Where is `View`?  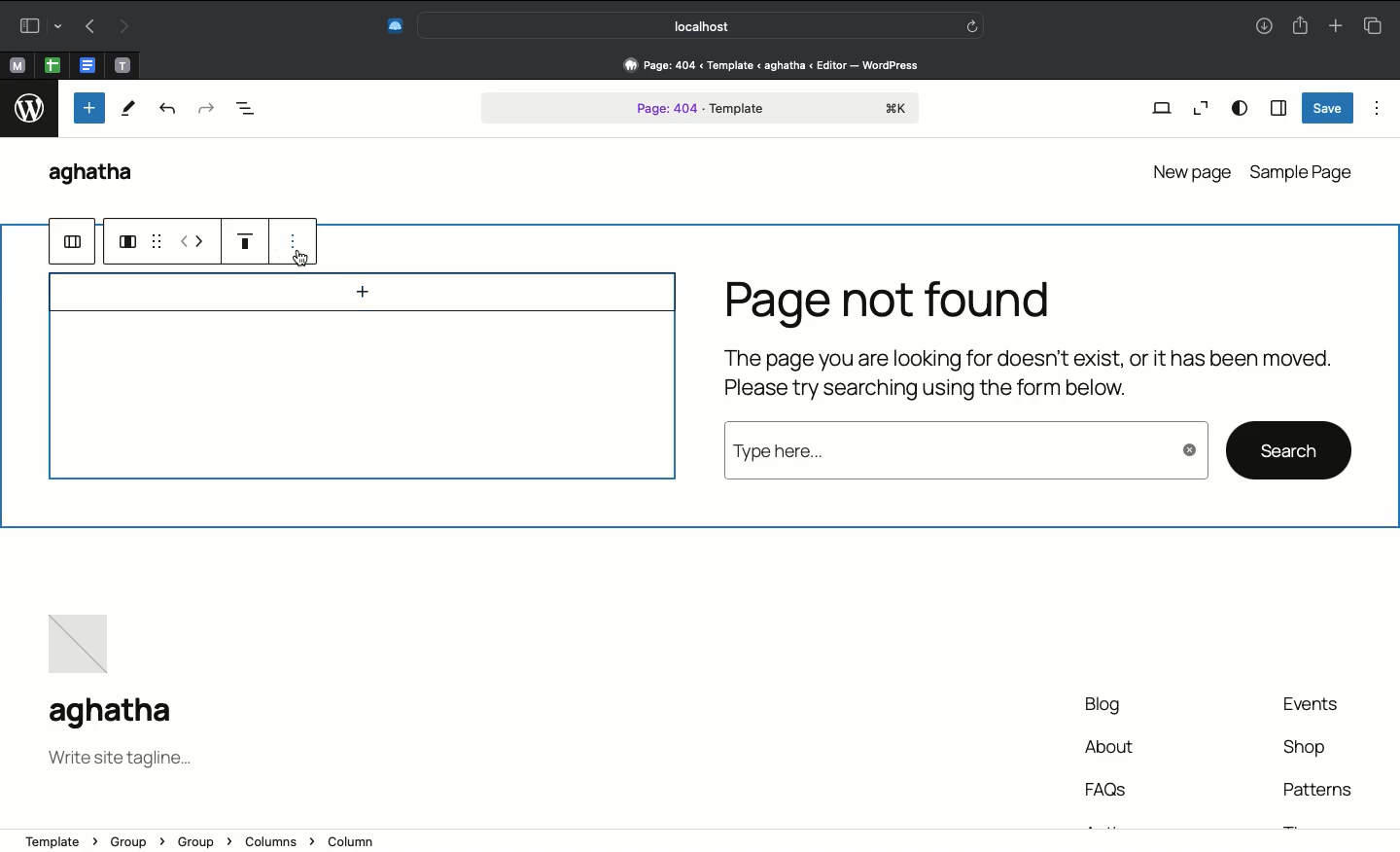 View is located at coordinates (1161, 110).